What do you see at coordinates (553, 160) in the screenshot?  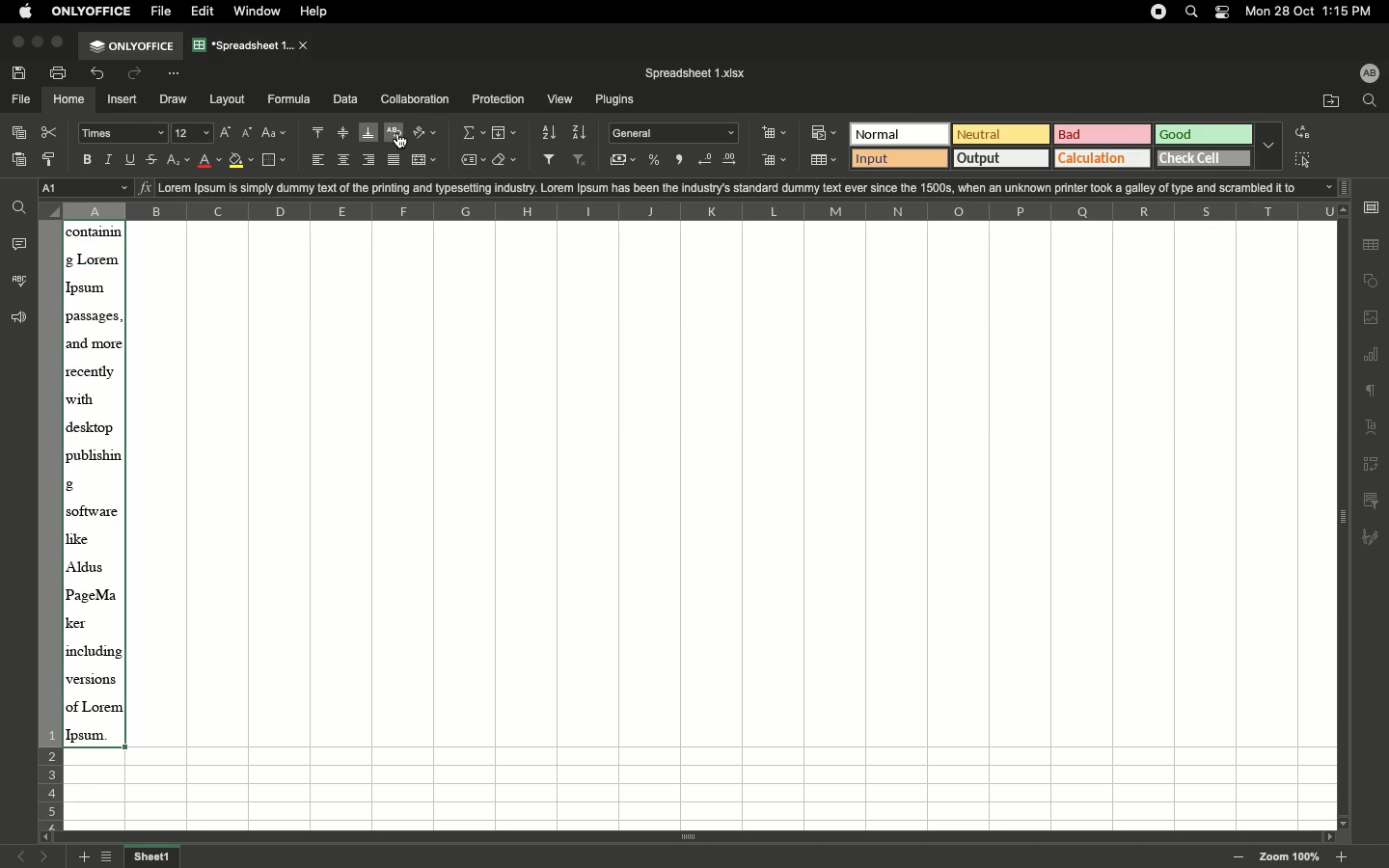 I see `Filter` at bounding box center [553, 160].